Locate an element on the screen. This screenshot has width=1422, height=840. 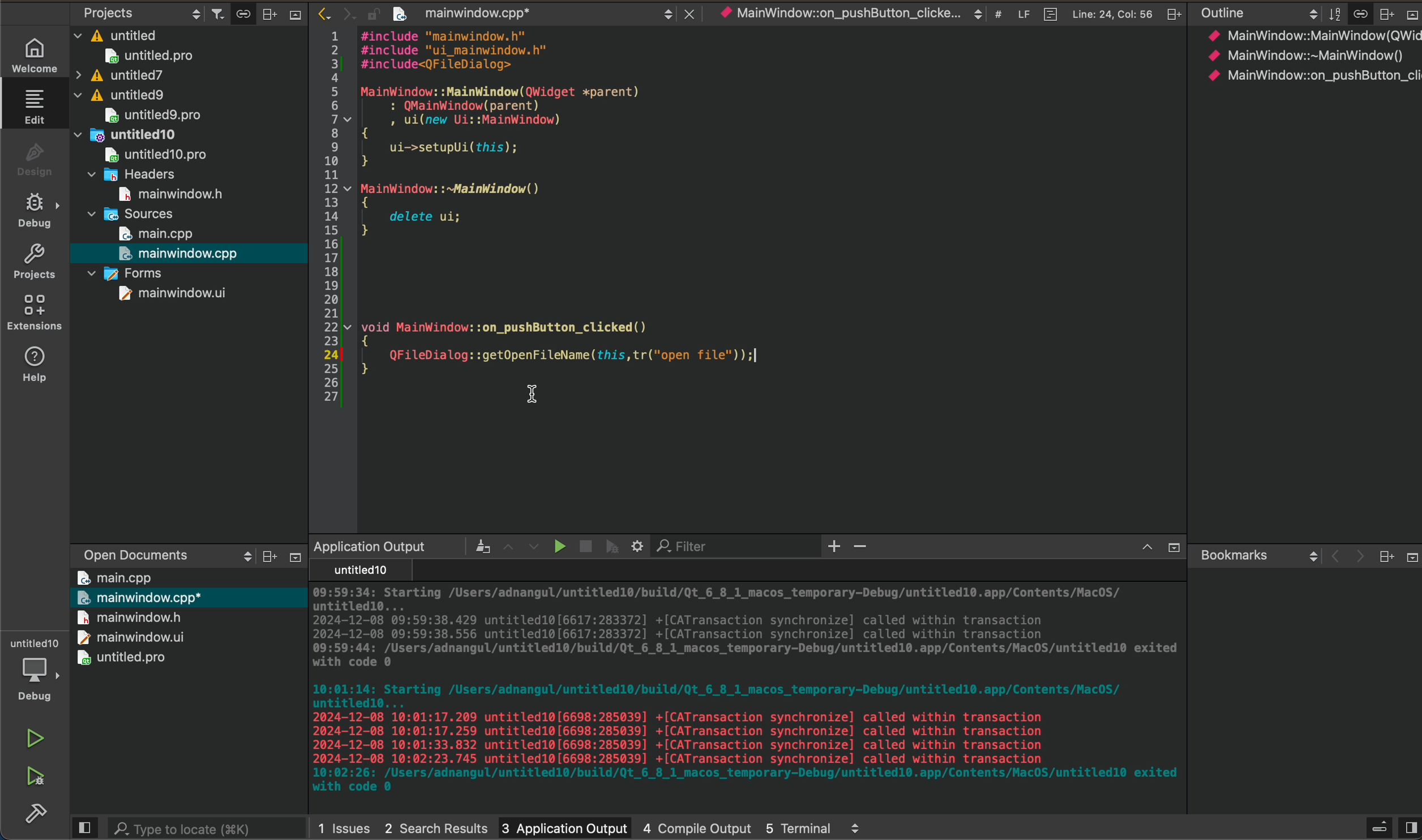
back is located at coordinates (1331, 557).